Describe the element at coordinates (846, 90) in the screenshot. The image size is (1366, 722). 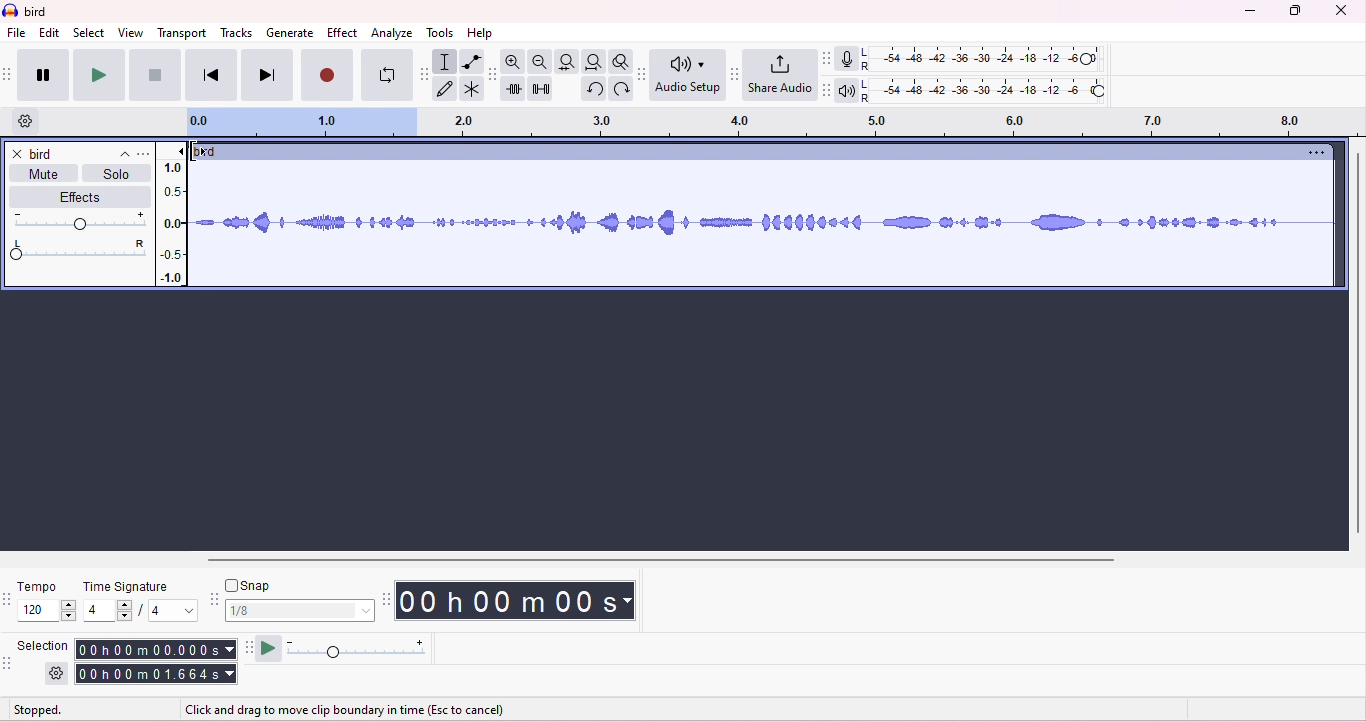
I see `playback meter` at that location.